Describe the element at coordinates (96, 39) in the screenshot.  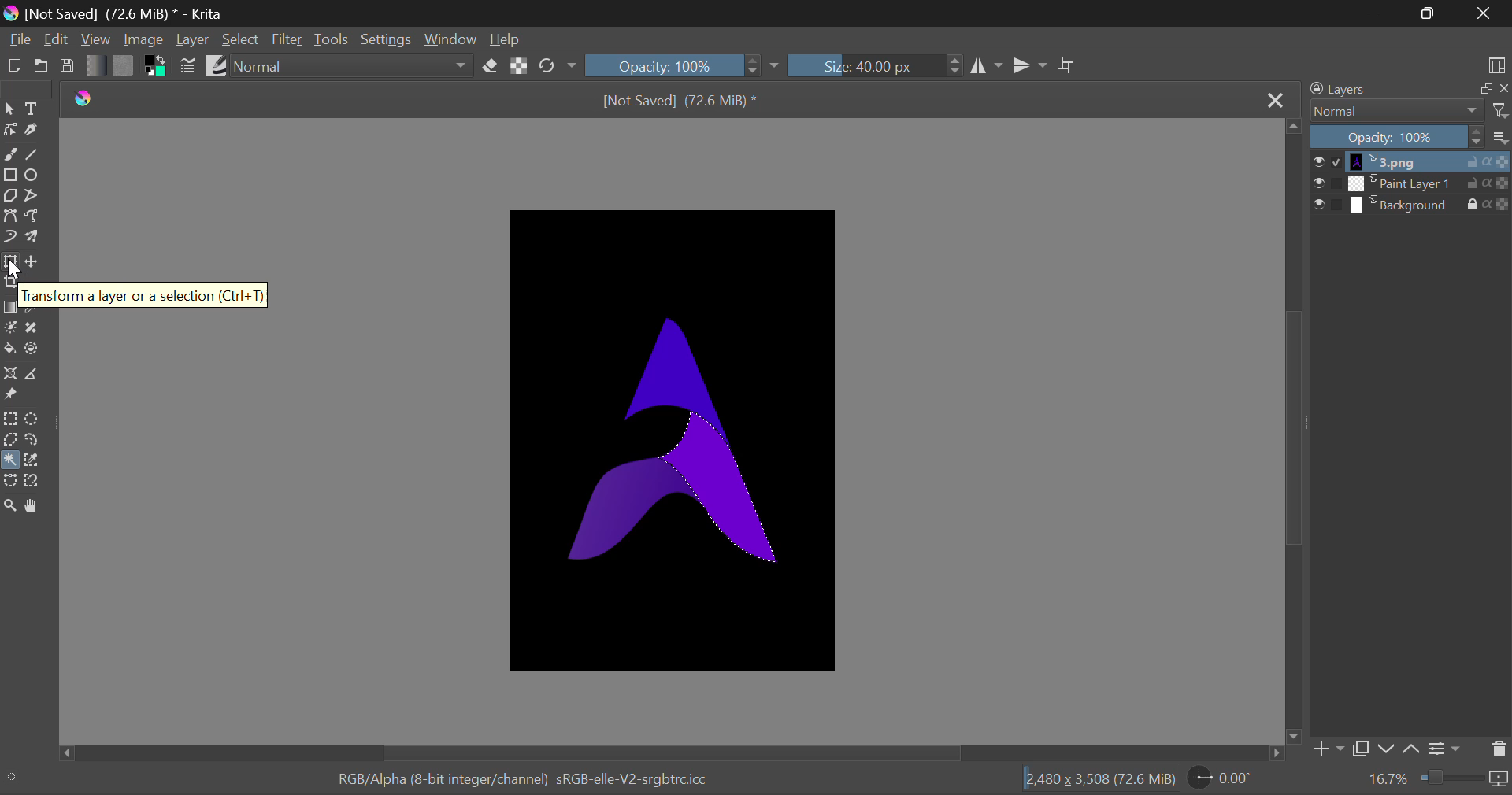
I see `View` at that location.